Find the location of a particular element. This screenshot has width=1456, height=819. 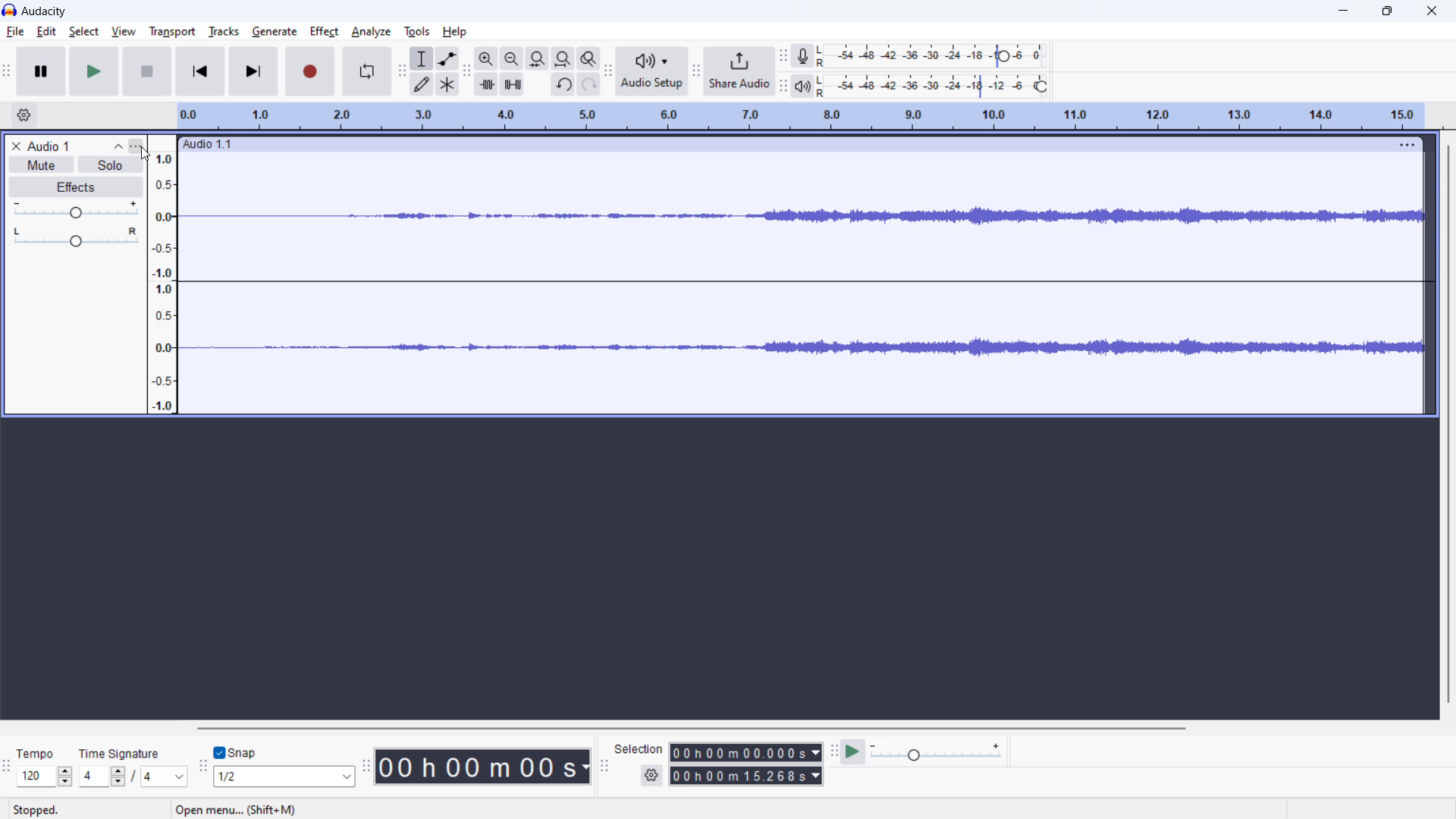

redo is located at coordinates (589, 84).